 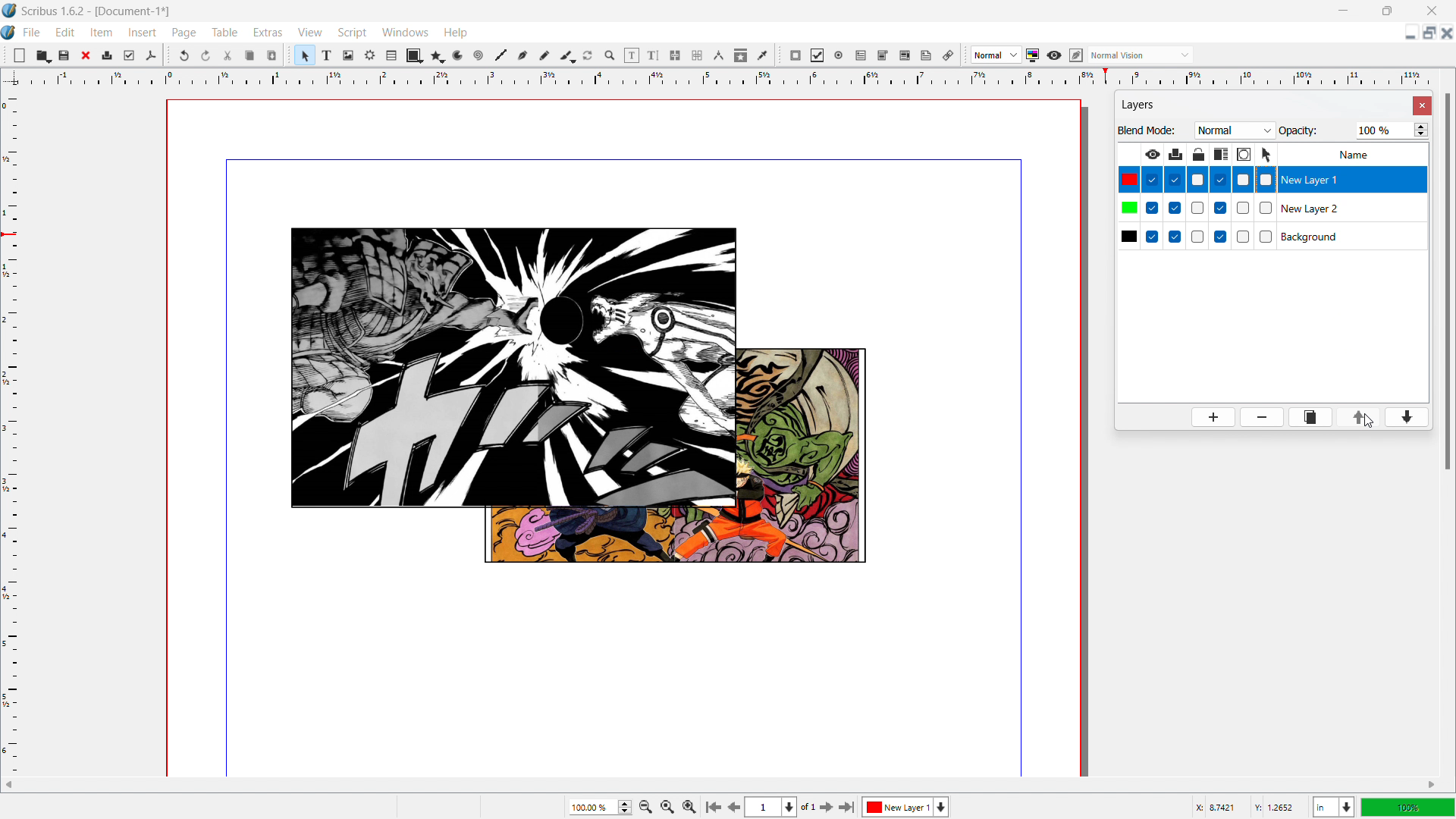 What do you see at coordinates (1345, 11) in the screenshot?
I see `minimize window` at bounding box center [1345, 11].